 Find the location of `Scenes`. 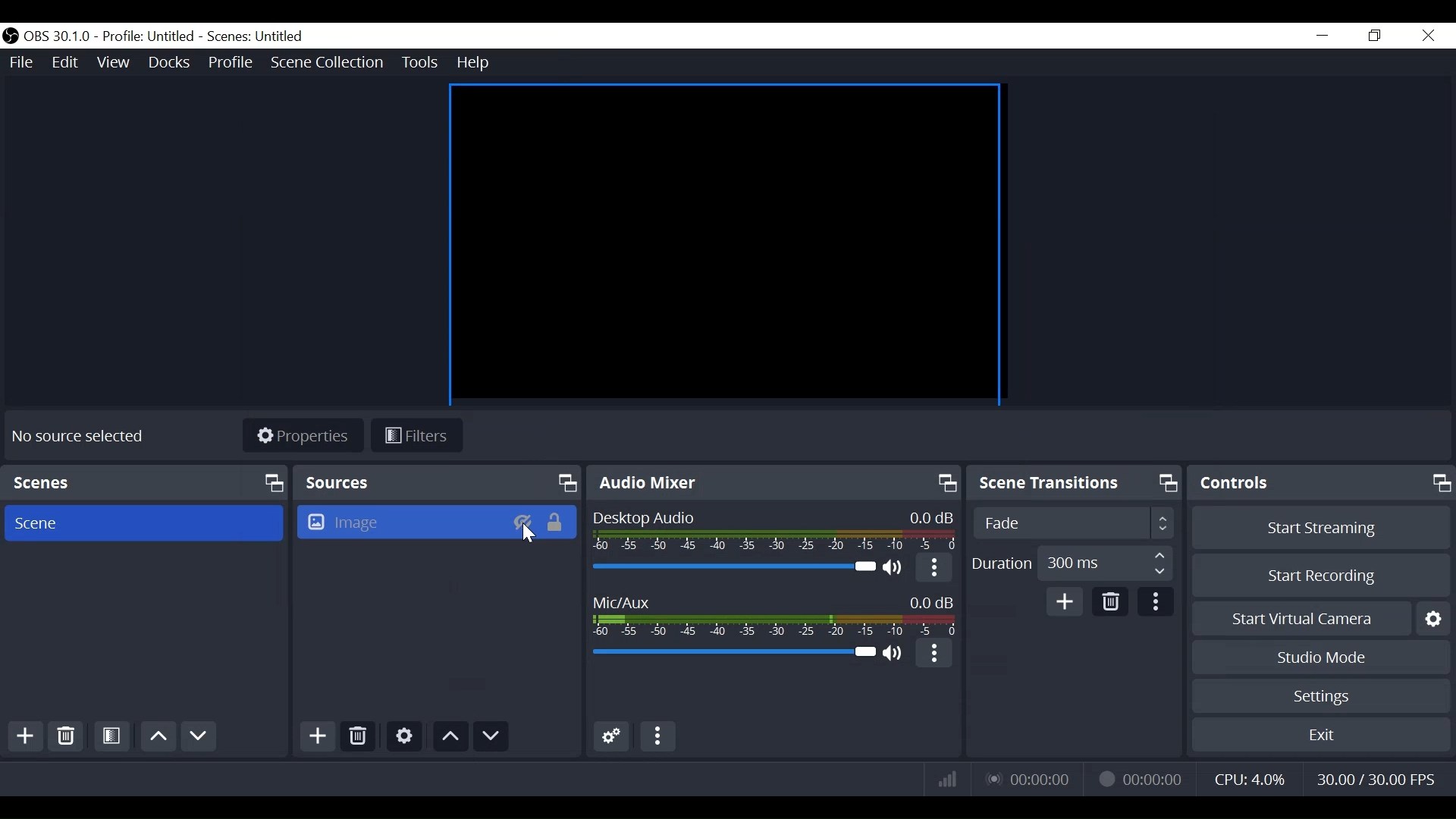

Scenes is located at coordinates (144, 482).